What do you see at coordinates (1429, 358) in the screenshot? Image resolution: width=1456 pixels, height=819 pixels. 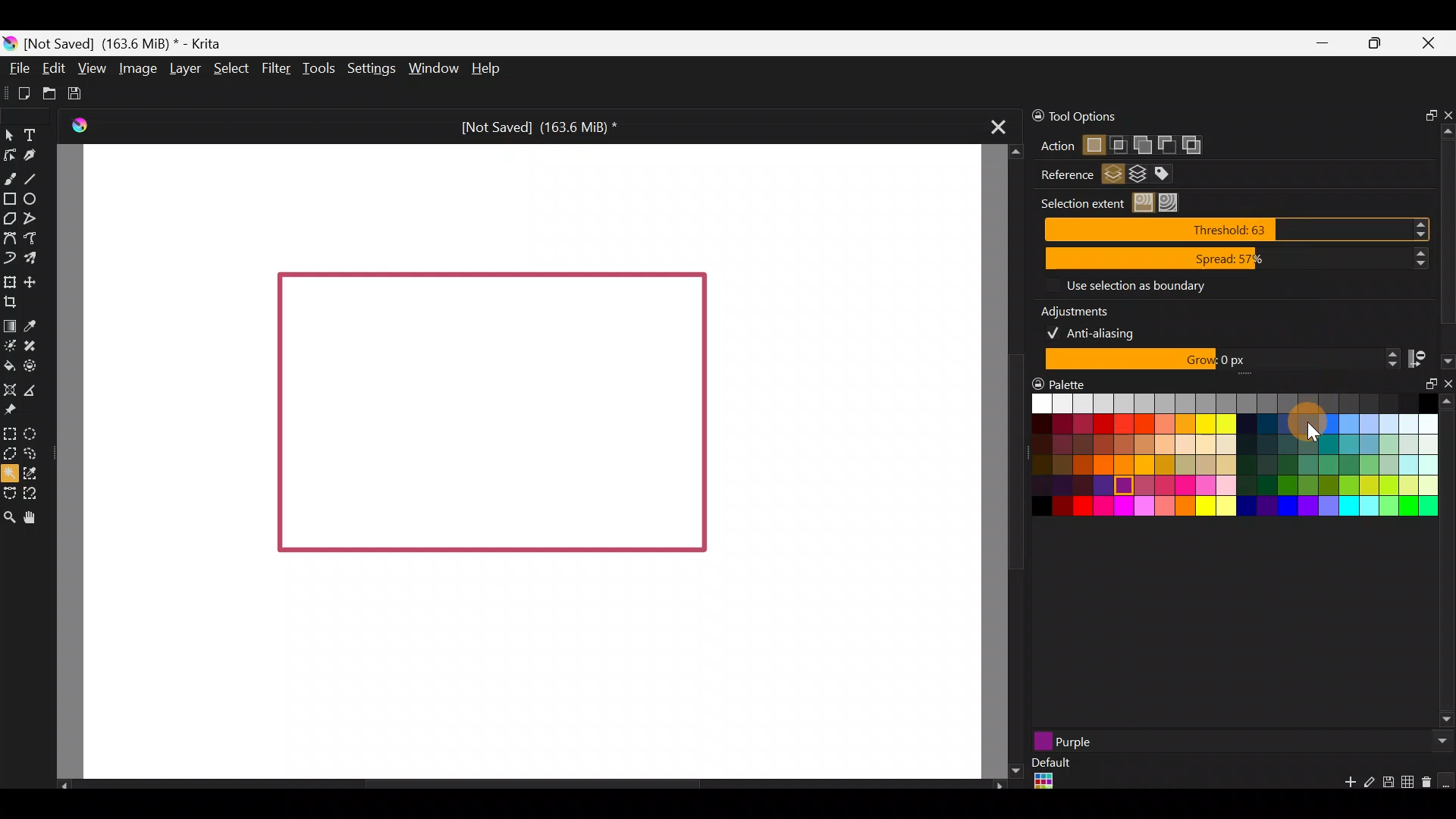 I see `Stop growing at the darkest/and or most opaque pixels` at bounding box center [1429, 358].